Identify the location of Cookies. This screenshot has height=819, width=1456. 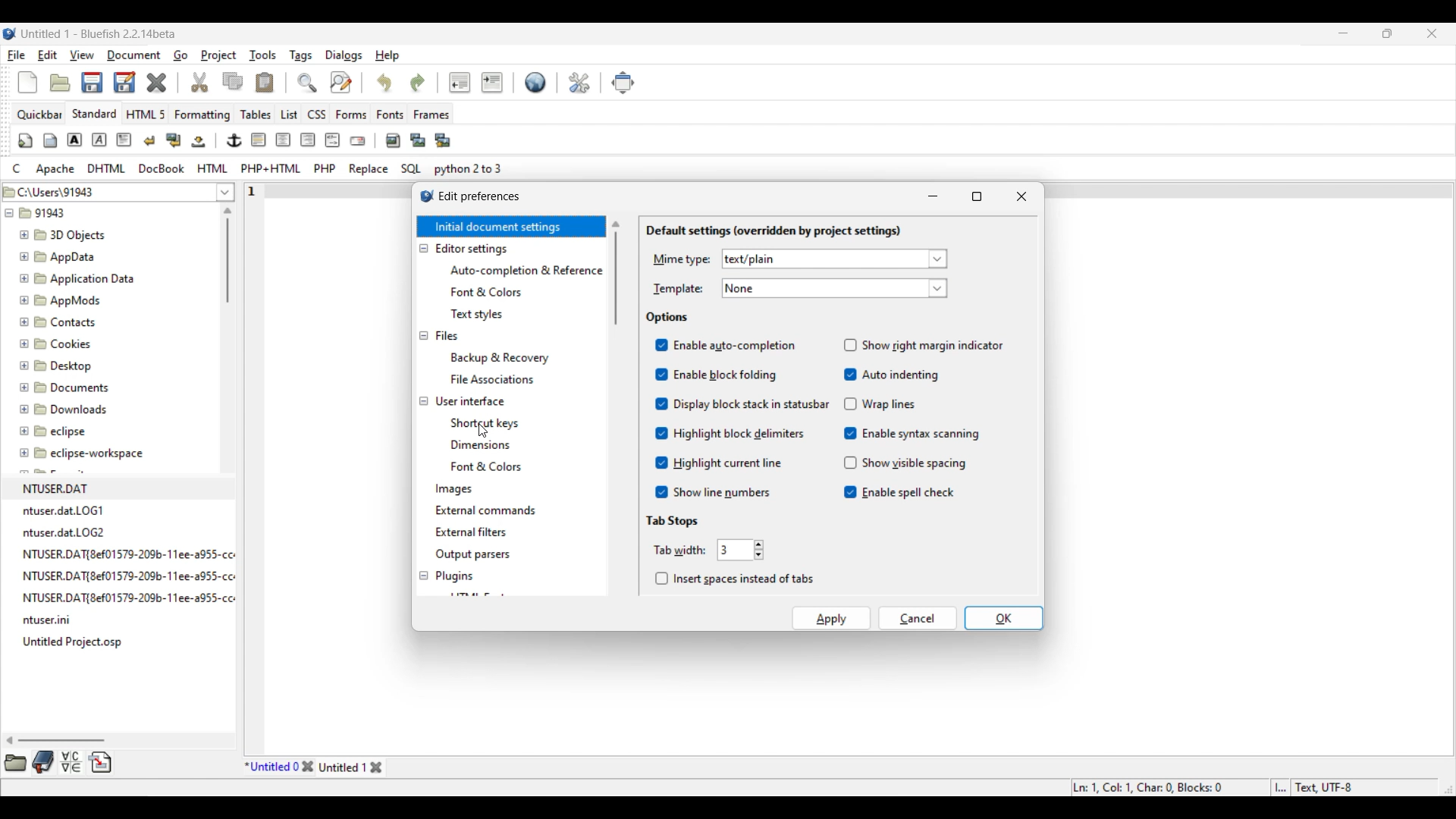
(57, 343).